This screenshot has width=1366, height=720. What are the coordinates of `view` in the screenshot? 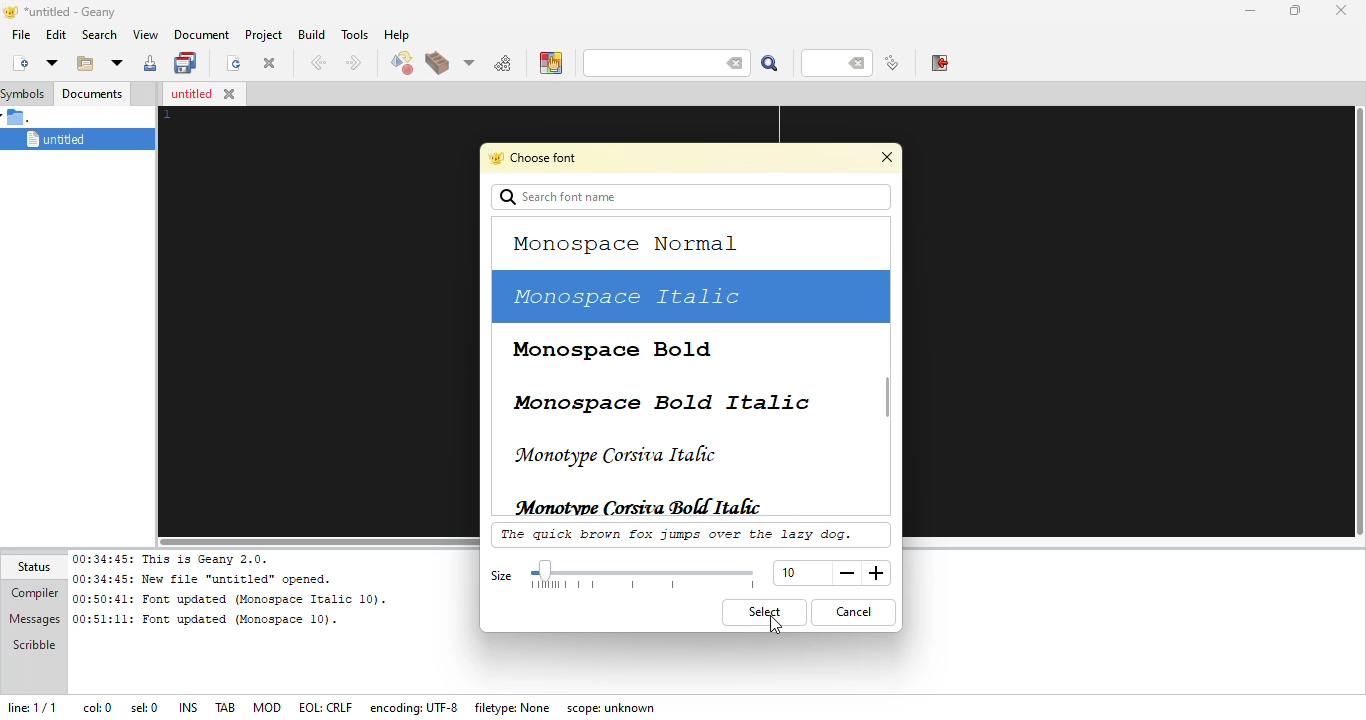 It's located at (144, 35).